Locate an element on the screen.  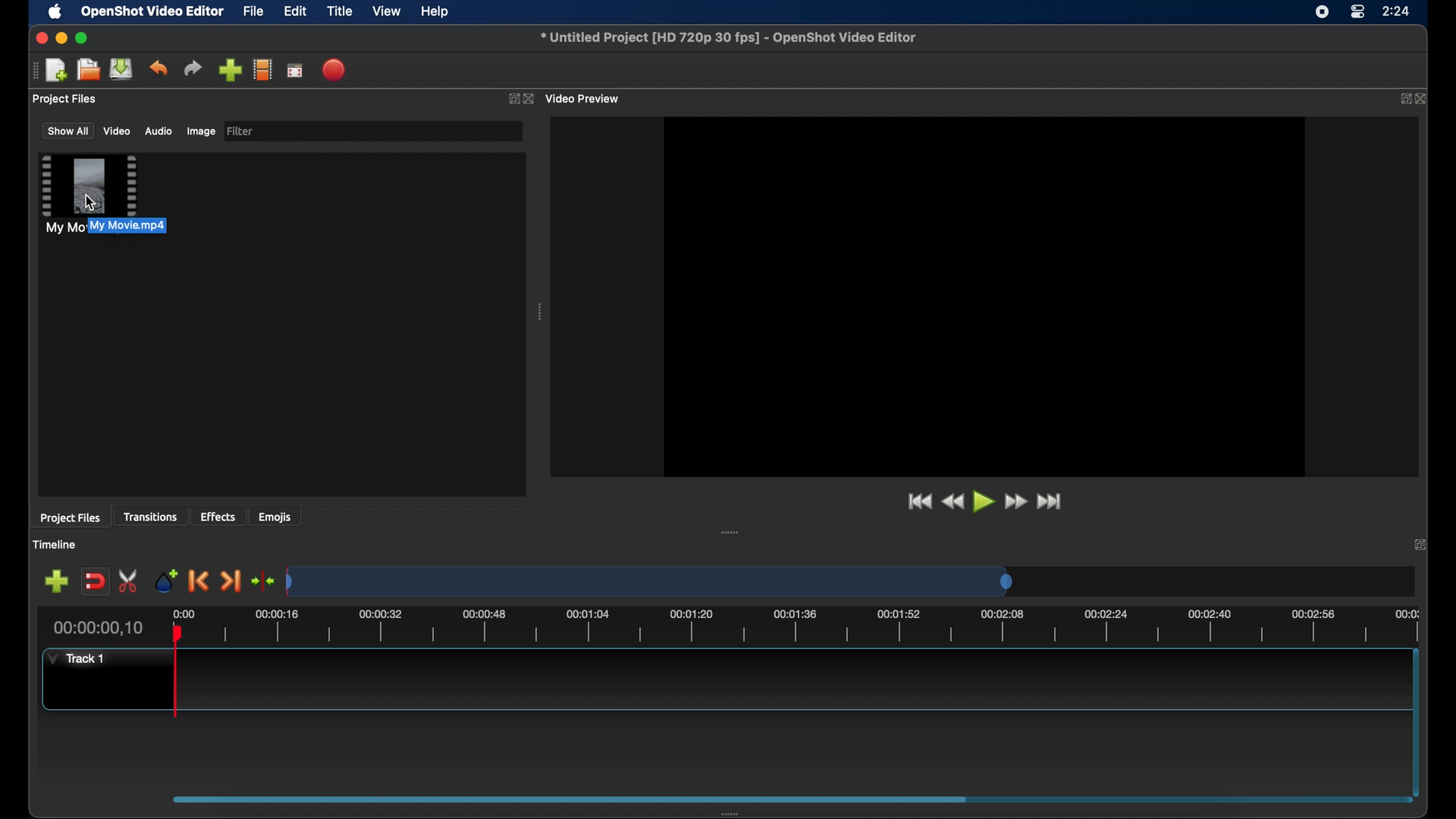
expand is located at coordinates (510, 98).